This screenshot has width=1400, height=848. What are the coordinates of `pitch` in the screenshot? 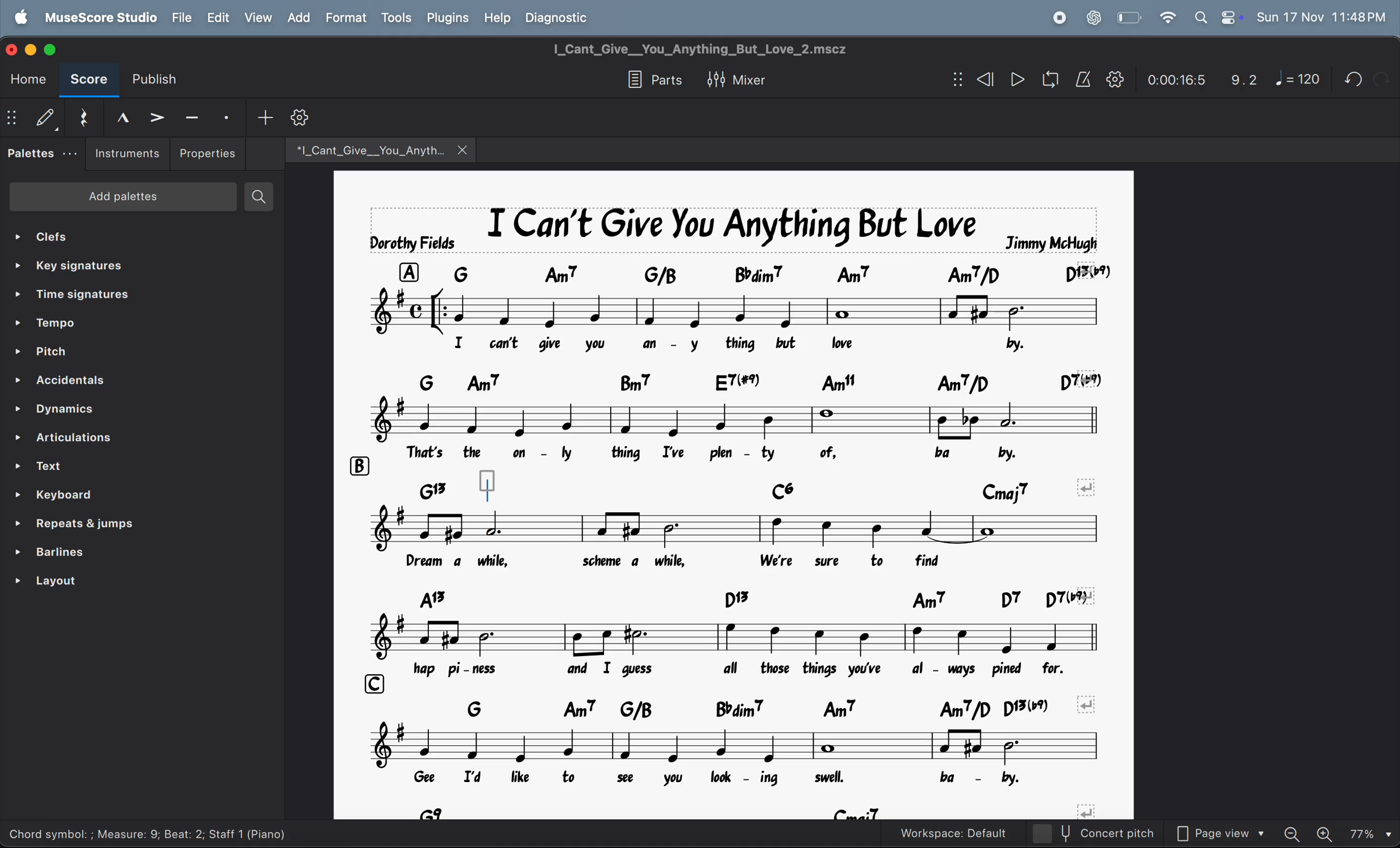 It's located at (129, 354).